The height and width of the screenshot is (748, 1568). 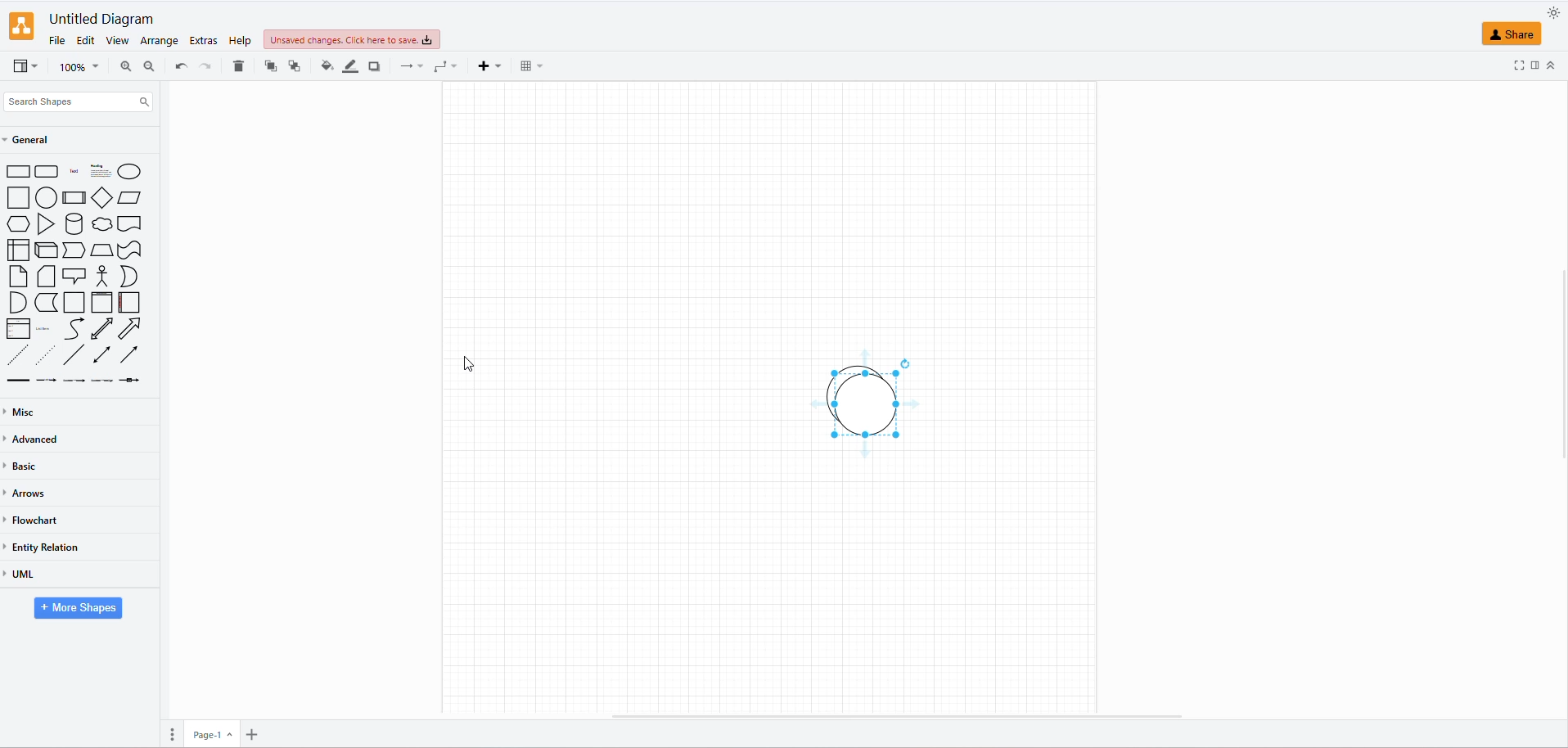 What do you see at coordinates (166, 732) in the screenshot?
I see `PAGES` at bounding box center [166, 732].